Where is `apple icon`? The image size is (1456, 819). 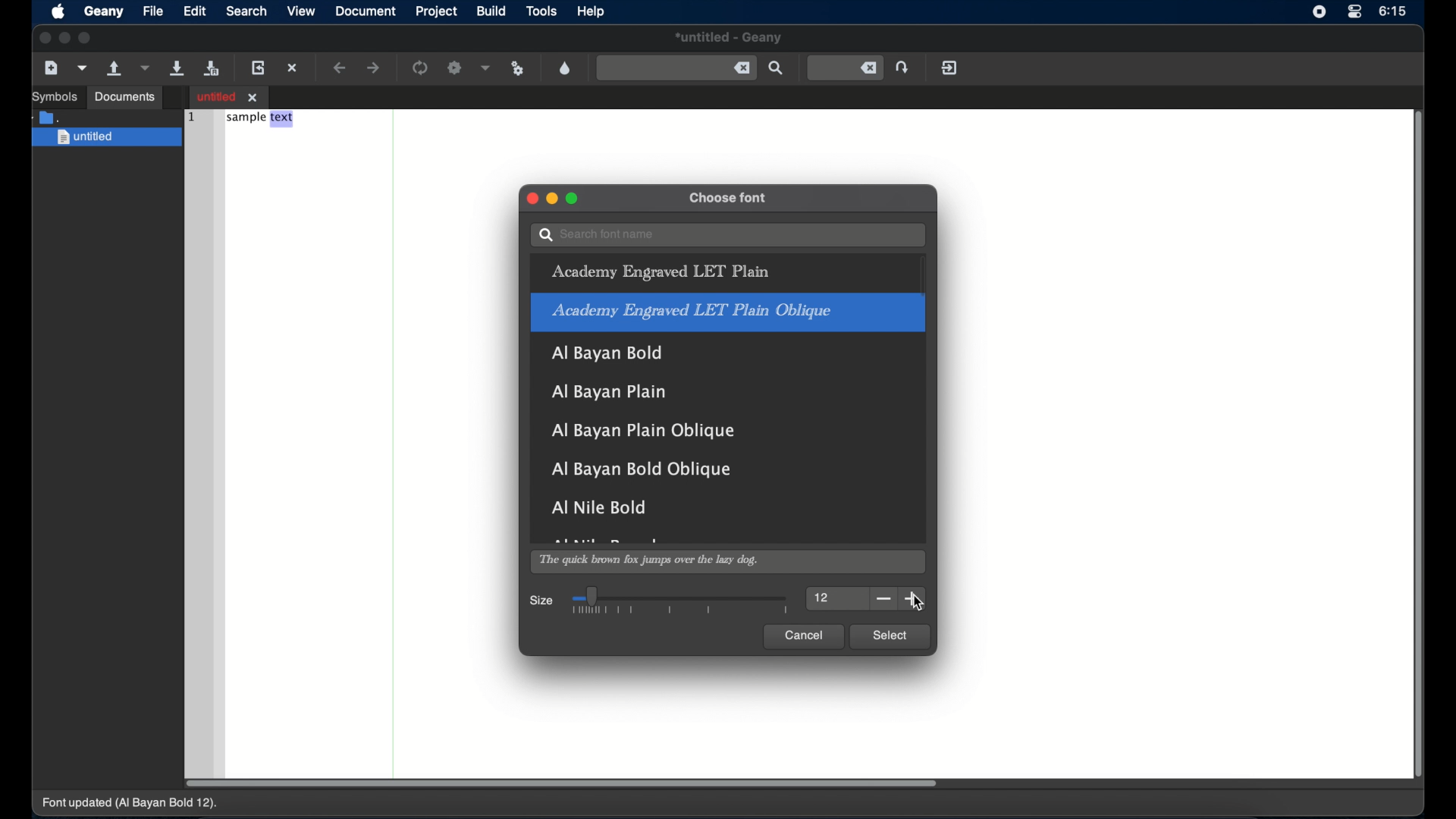
apple icon is located at coordinates (58, 13).